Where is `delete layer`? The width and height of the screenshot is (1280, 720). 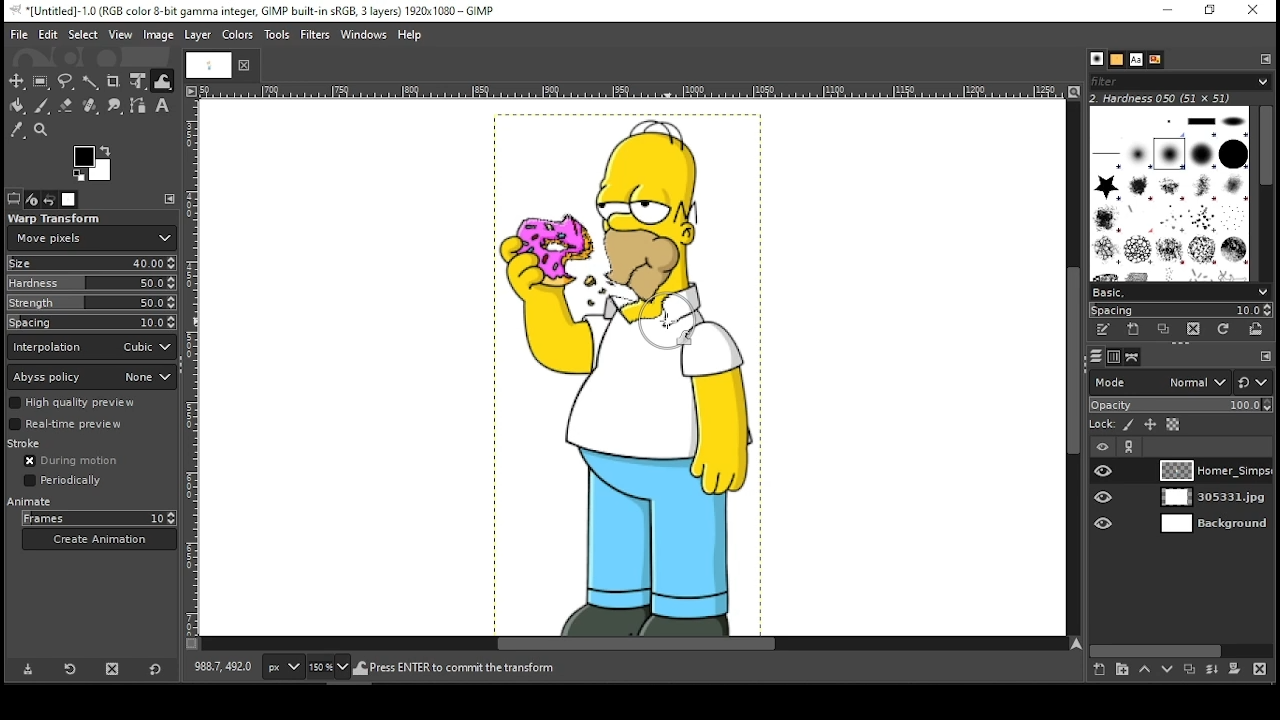
delete layer is located at coordinates (1261, 671).